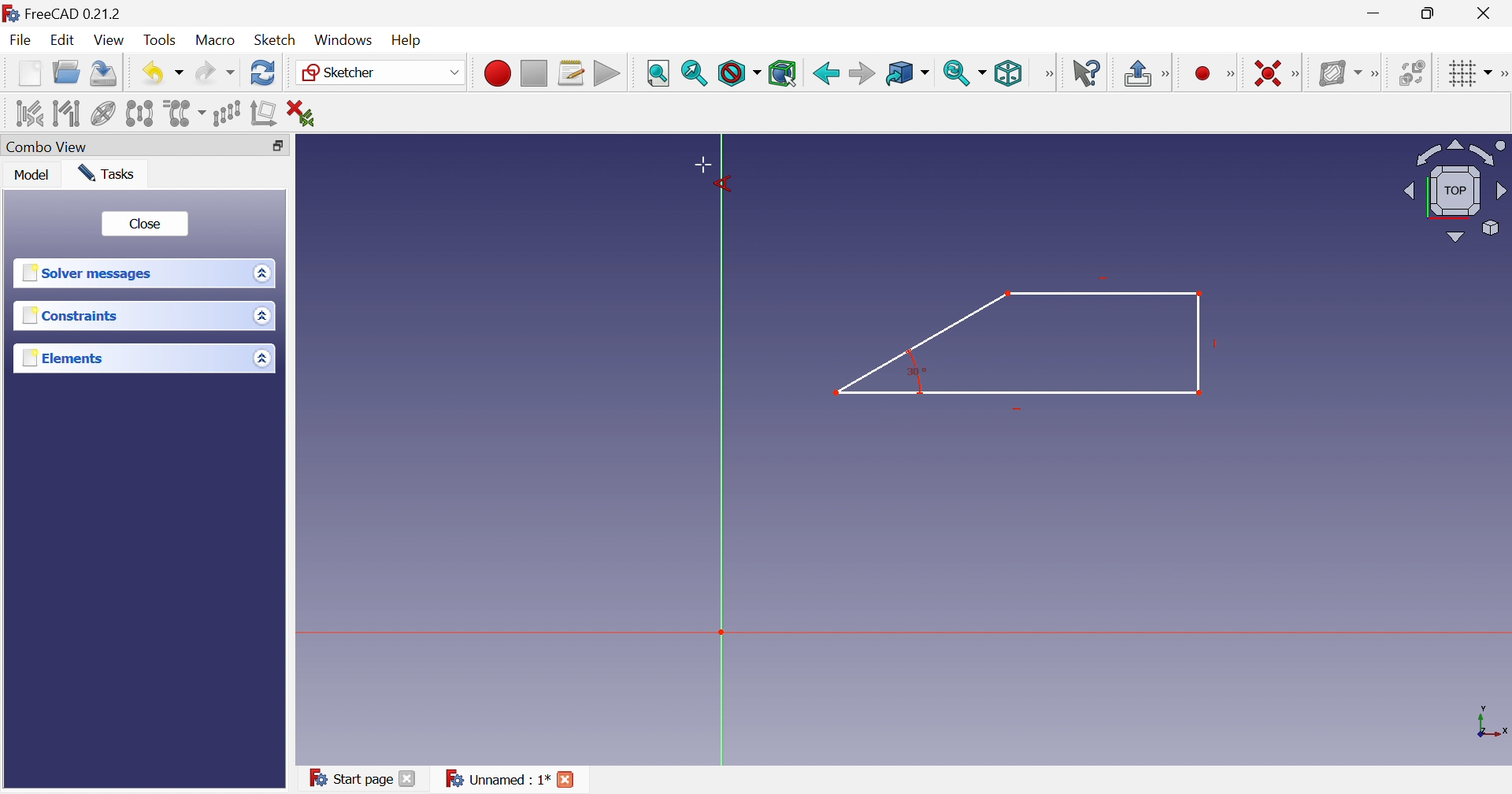  What do you see at coordinates (497, 780) in the screenshot?
I see `Unnamed : 1*` at bounding box center [497, 780].